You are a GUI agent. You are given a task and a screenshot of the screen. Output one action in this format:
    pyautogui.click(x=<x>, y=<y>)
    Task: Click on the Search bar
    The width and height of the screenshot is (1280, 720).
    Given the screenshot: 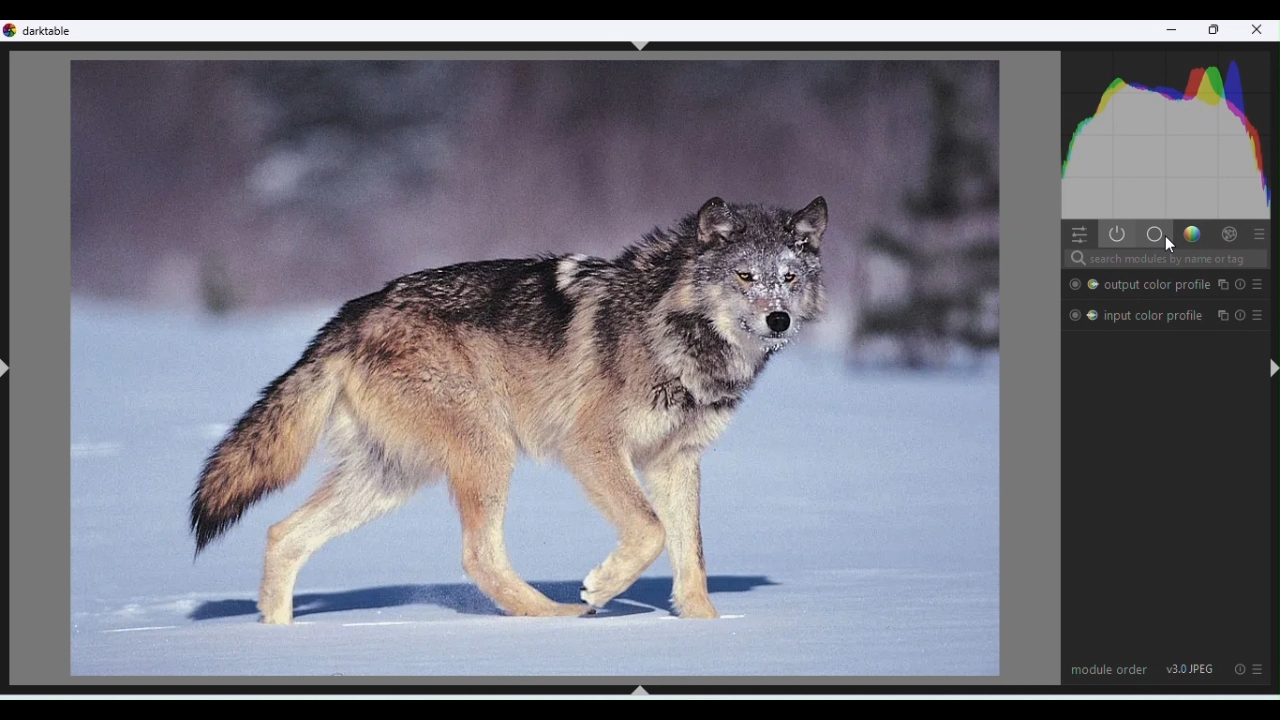 What is the action you would take?
    pyautogui.click(x=1164, y=260)
    